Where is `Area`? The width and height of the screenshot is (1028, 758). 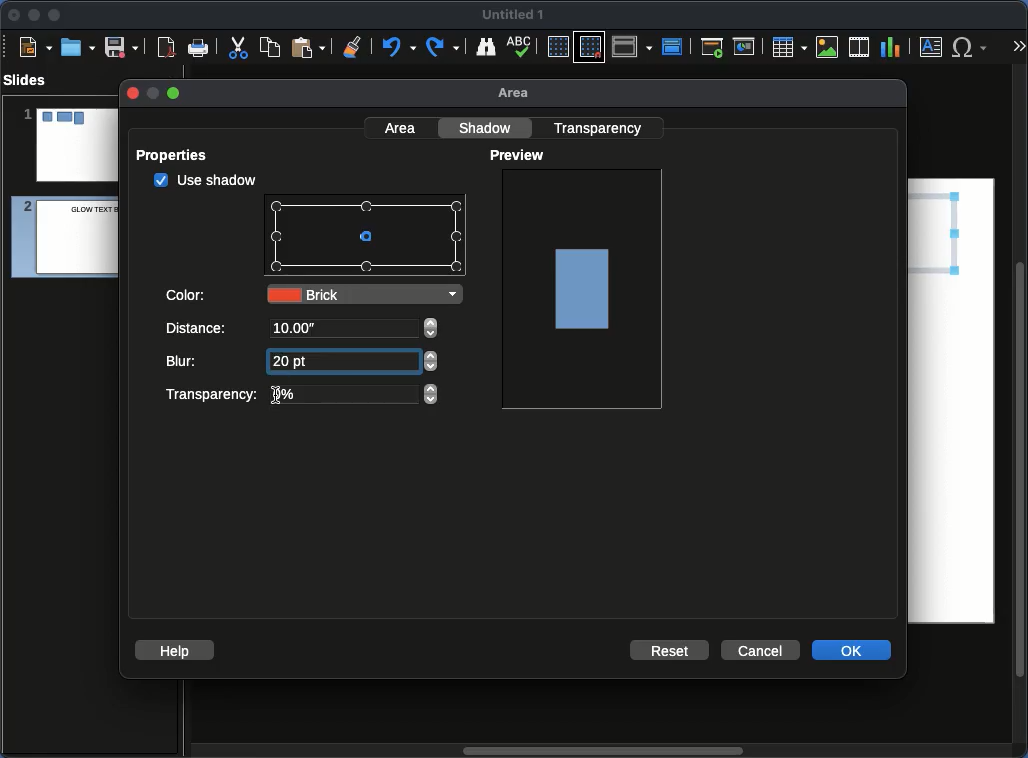 Area is located at coordinates (519, 94).